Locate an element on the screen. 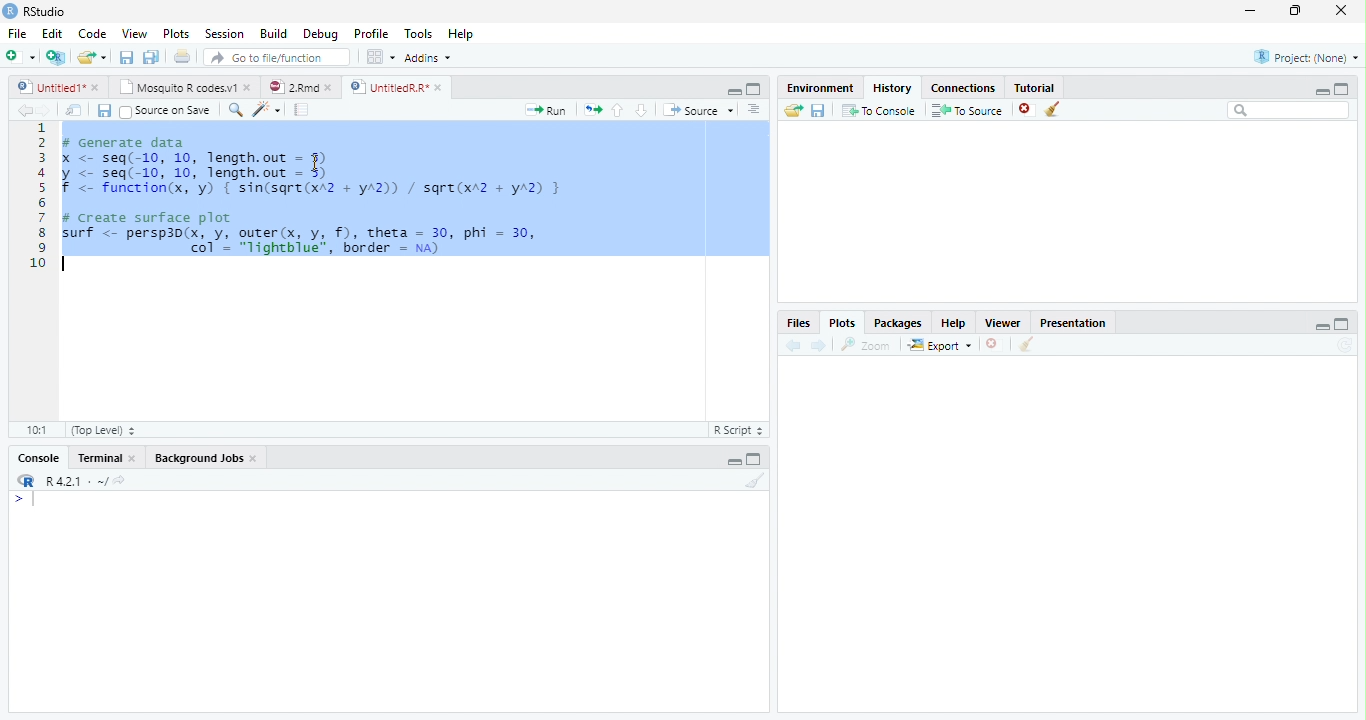 The height and width of the screenshot is (720, 1366). 1:1 is located at coordinates (37, 430).